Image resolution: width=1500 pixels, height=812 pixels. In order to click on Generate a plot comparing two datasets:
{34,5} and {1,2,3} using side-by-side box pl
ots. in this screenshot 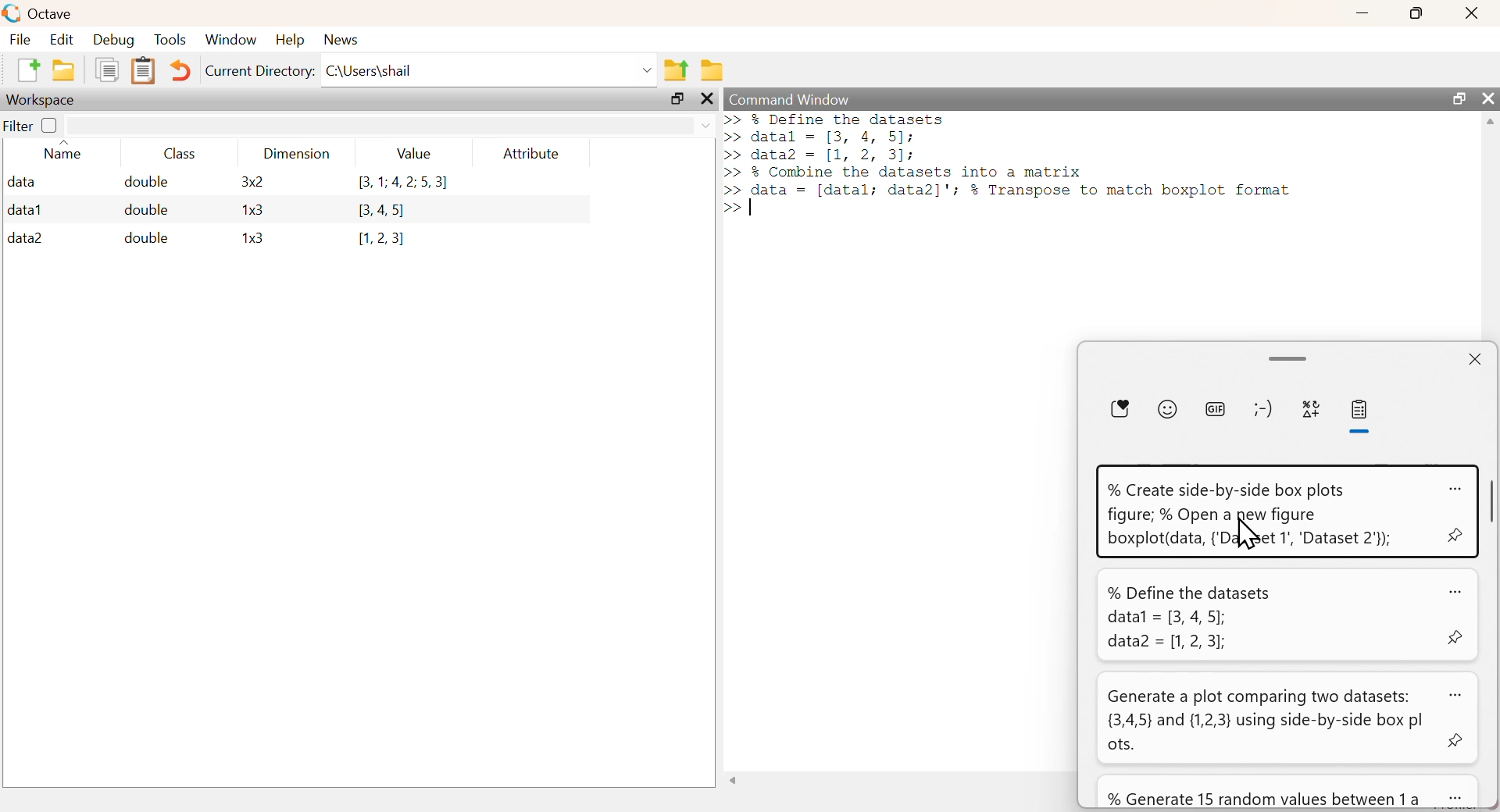, I will do `click(1269, 721)`.